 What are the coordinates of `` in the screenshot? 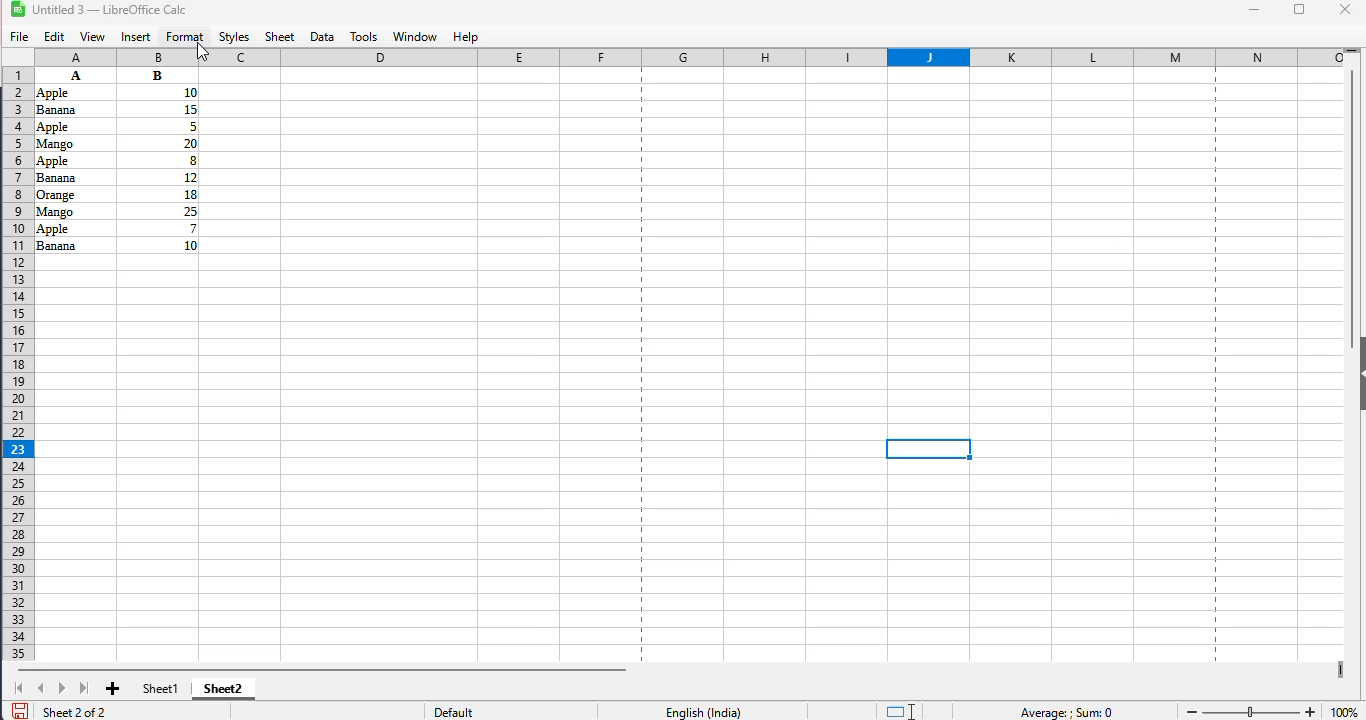 It's located at (159, 211).